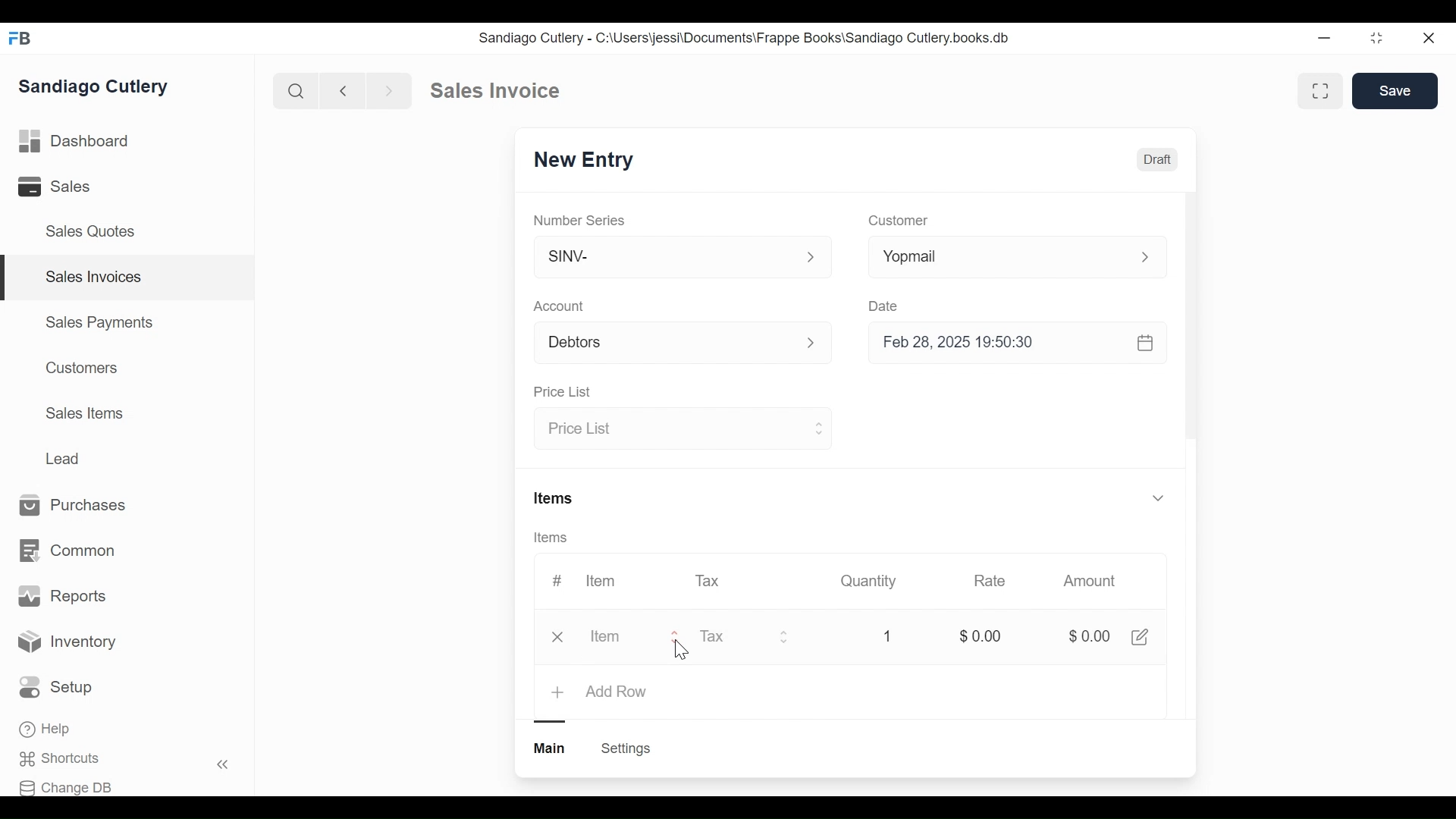  What do you see at coordinates (1376, 37) in the screenshot?
I see `restore` at bounding box center [1376, 37].